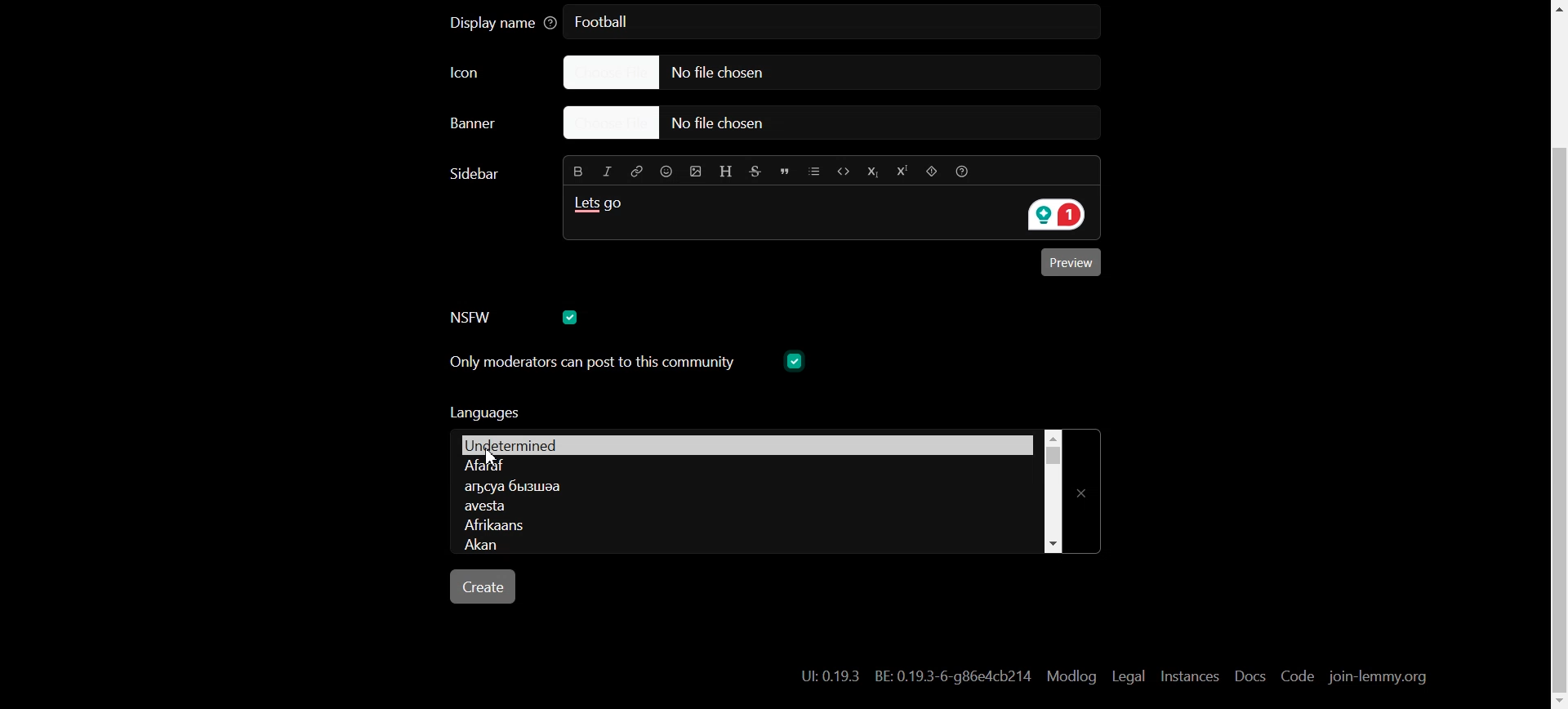 Image resolution: width=1568 pixels, height=709 pixels. Describe the element at coordinates (916, 676) in the screenshot. I see `Text` at that location.